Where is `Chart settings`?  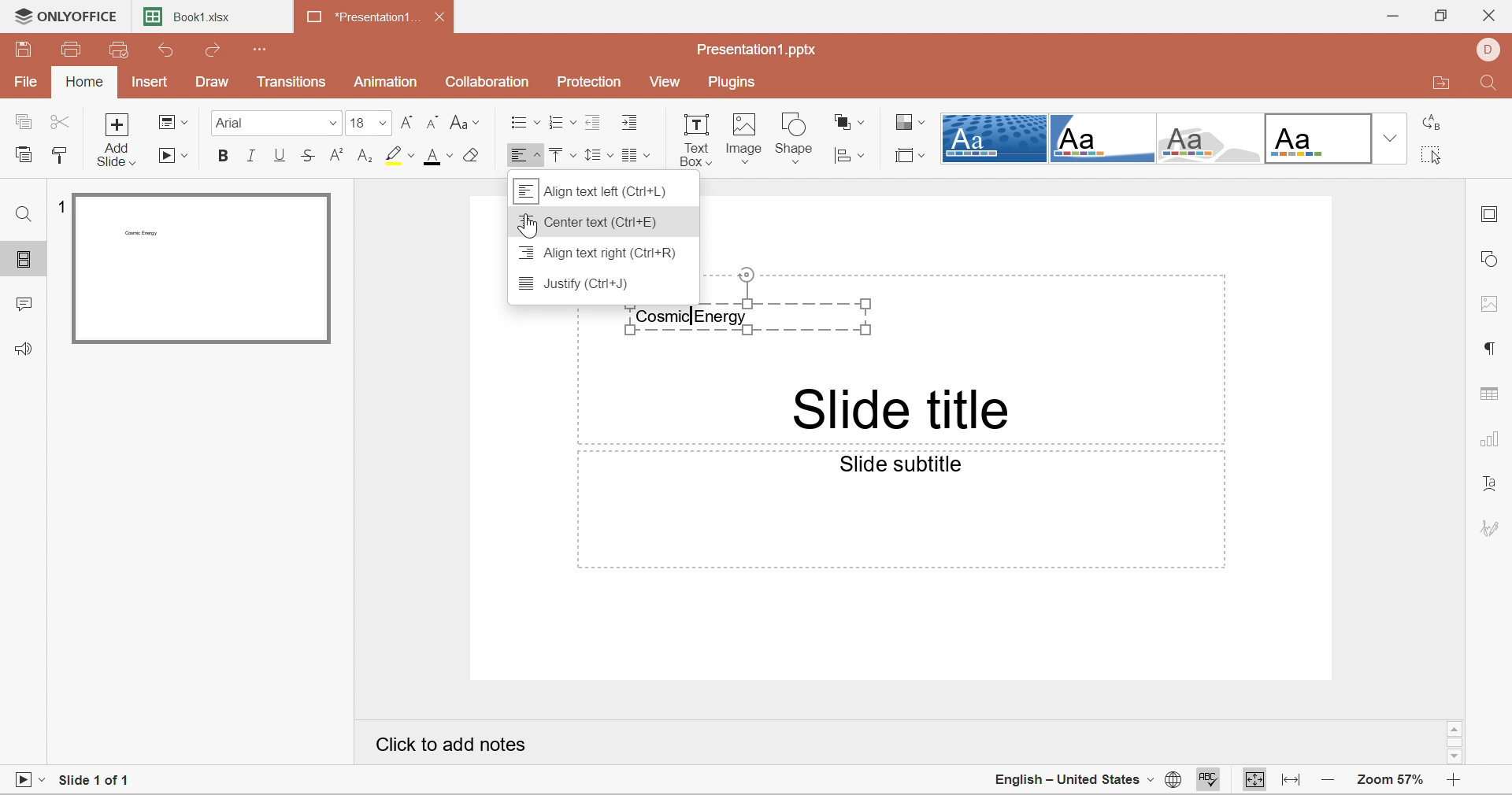
Chart settings is located at coordinates (1492, 442).